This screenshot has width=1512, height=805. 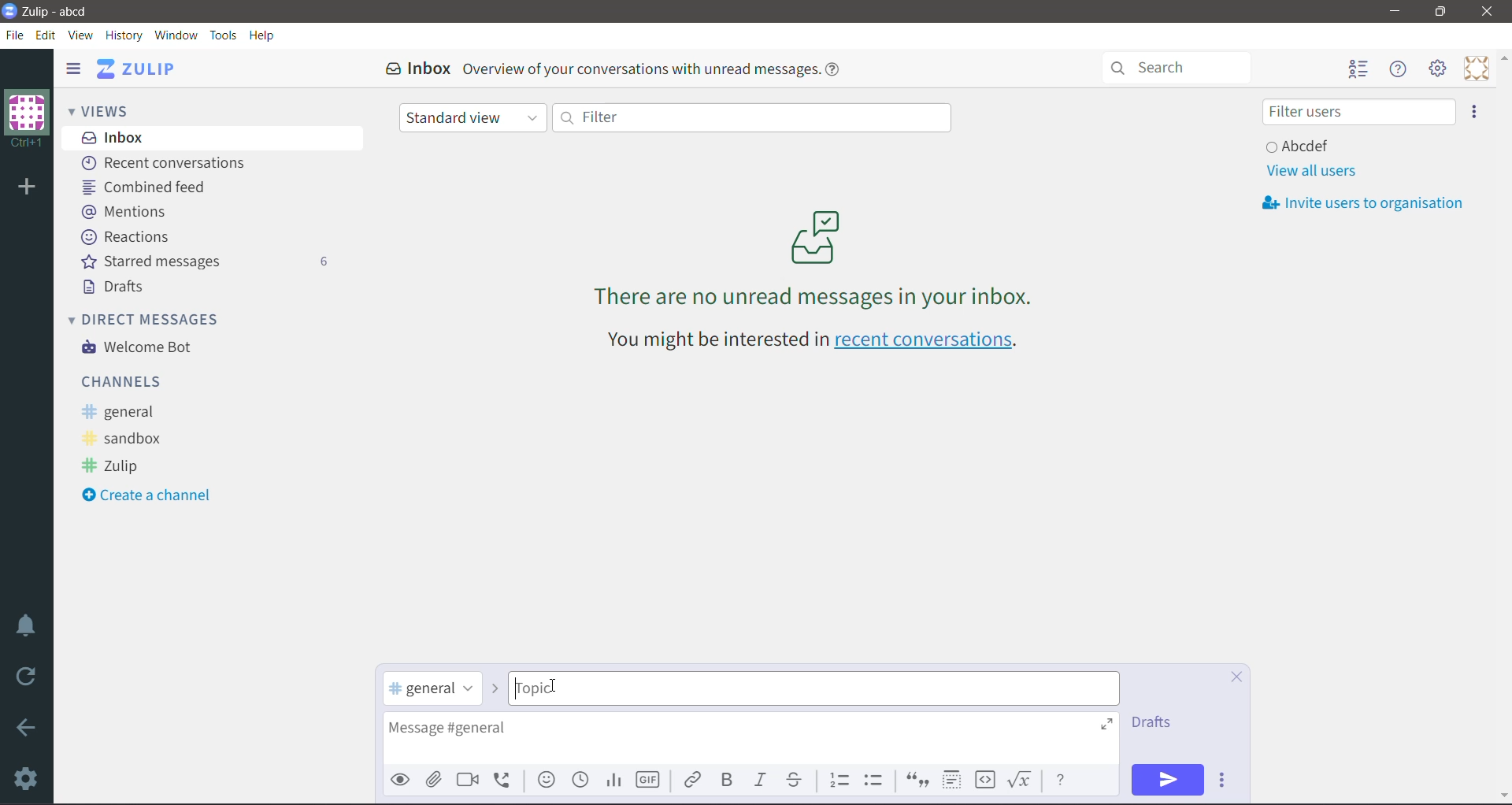 What do you see at coordinates (1061, 778) in the screenshot?
I see `Message Formatting` at bounding box center [1061, 778].